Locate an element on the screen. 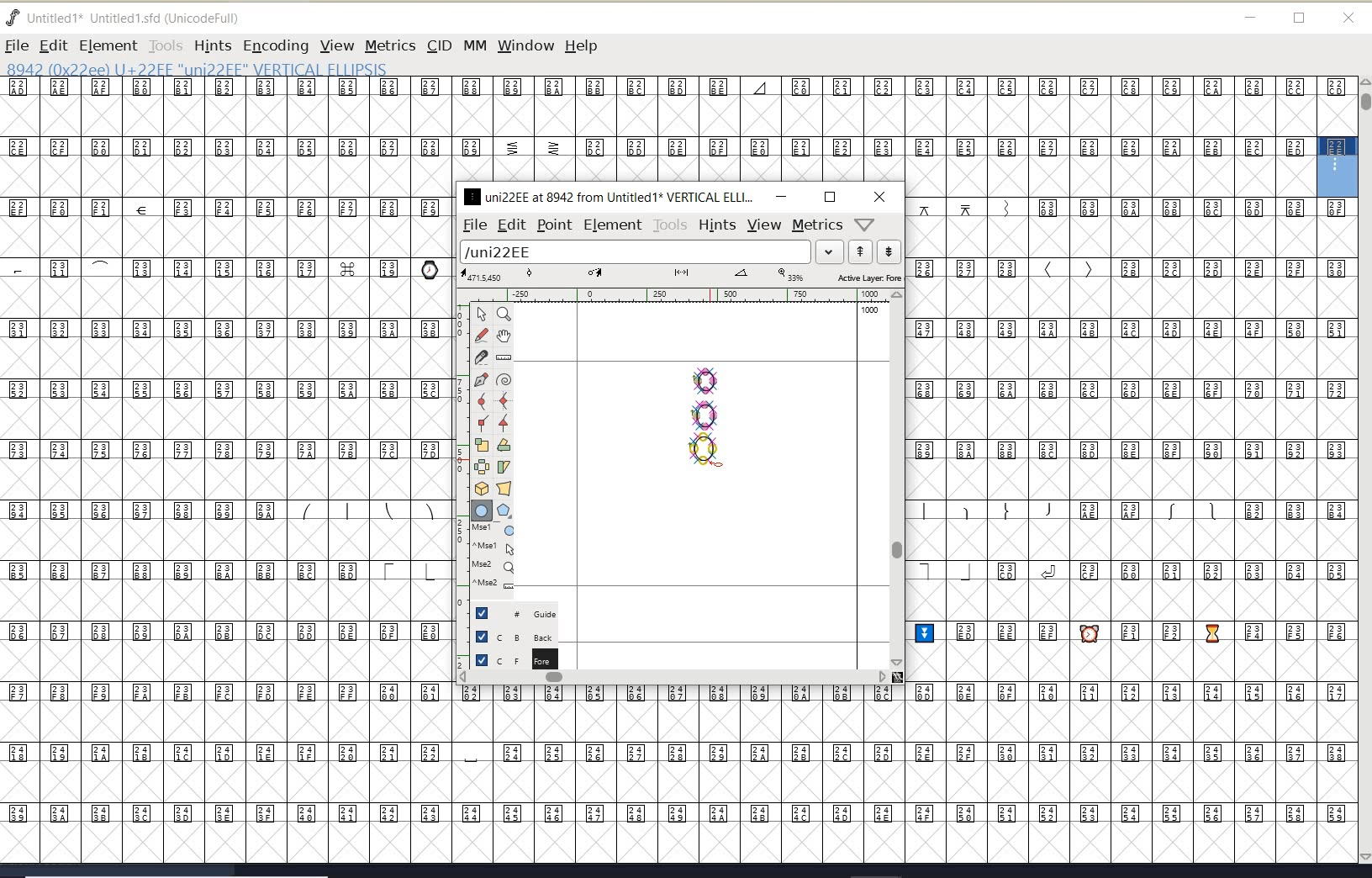  SCROLLBAR is located at coordinates (1364, 472).